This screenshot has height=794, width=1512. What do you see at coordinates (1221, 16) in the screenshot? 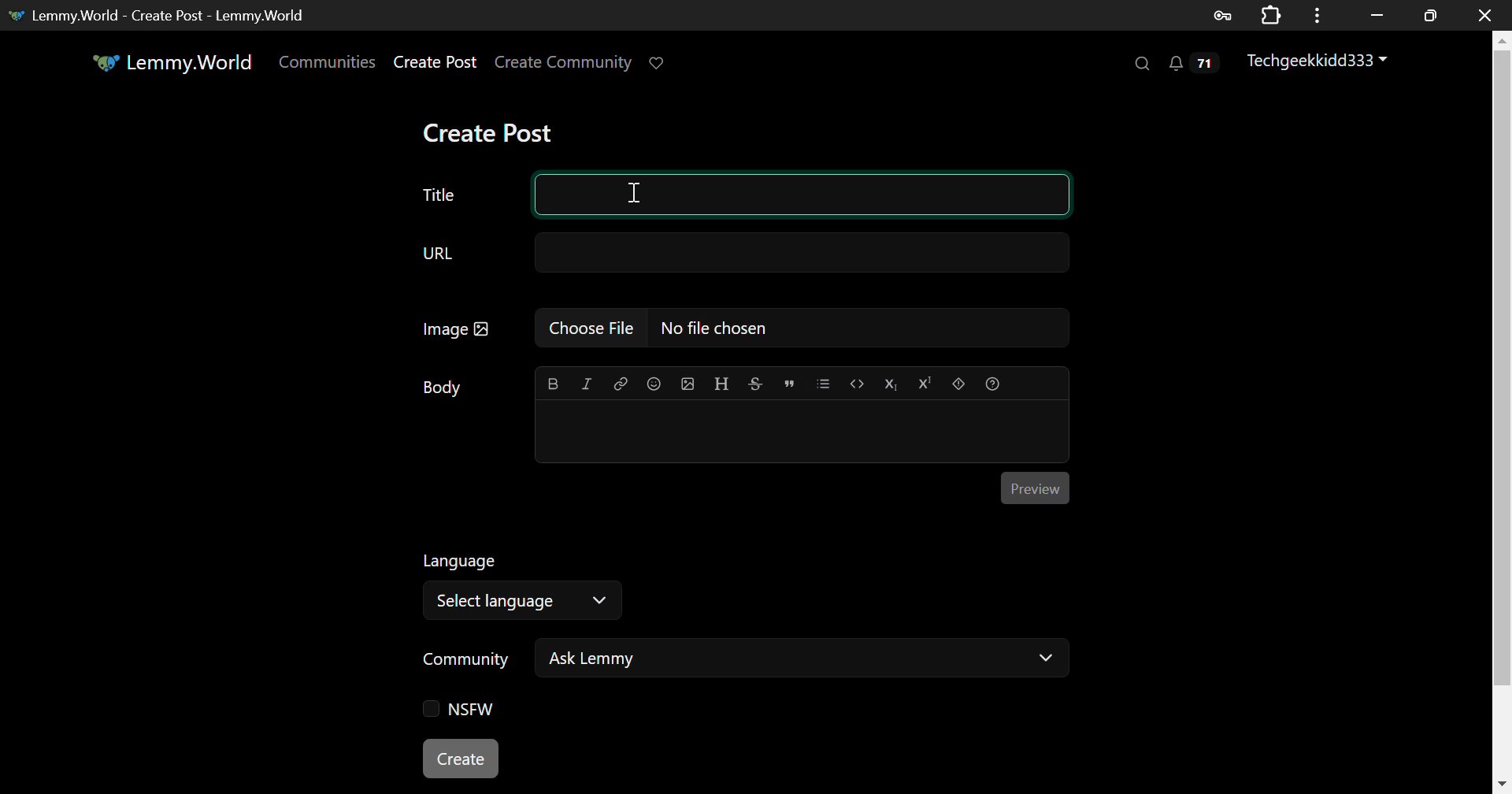
I see `Saved Password Data` at bounding box center [1221, 16].